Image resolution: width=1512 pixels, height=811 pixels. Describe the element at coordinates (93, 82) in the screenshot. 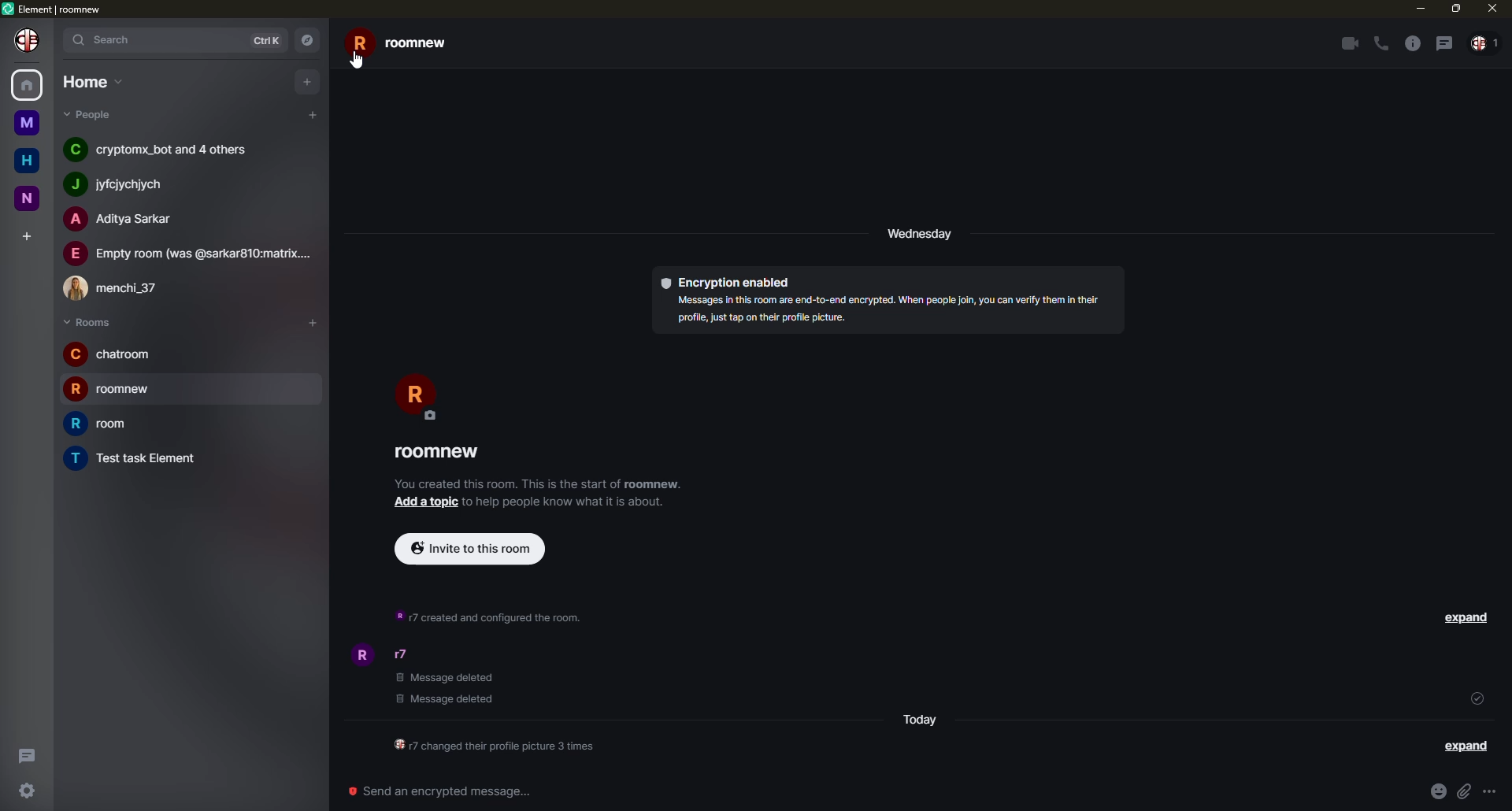

I see `home` at that location.